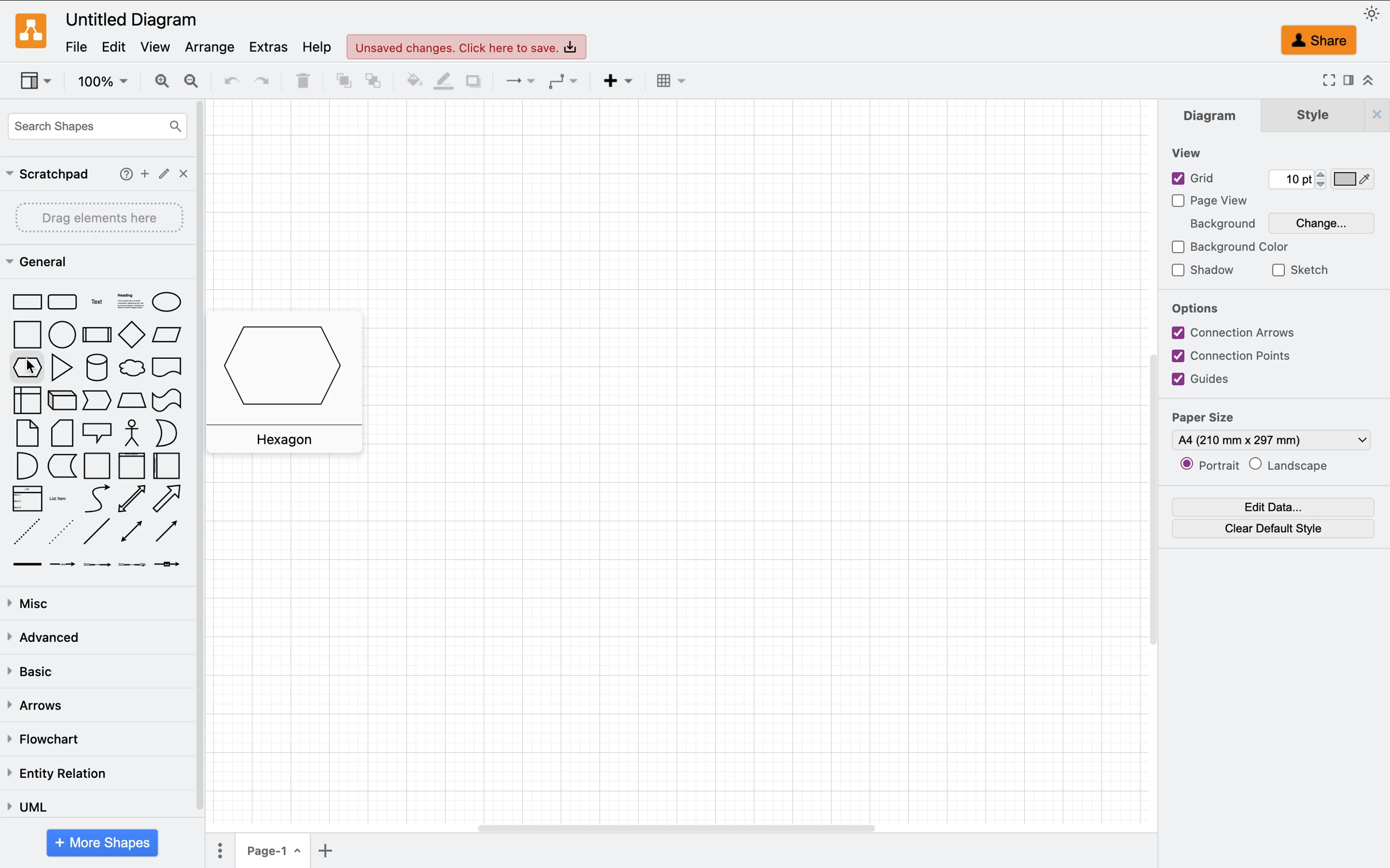  Describe the element at coordinates (616, 84) in the screenshot. I see `insert` at that location.